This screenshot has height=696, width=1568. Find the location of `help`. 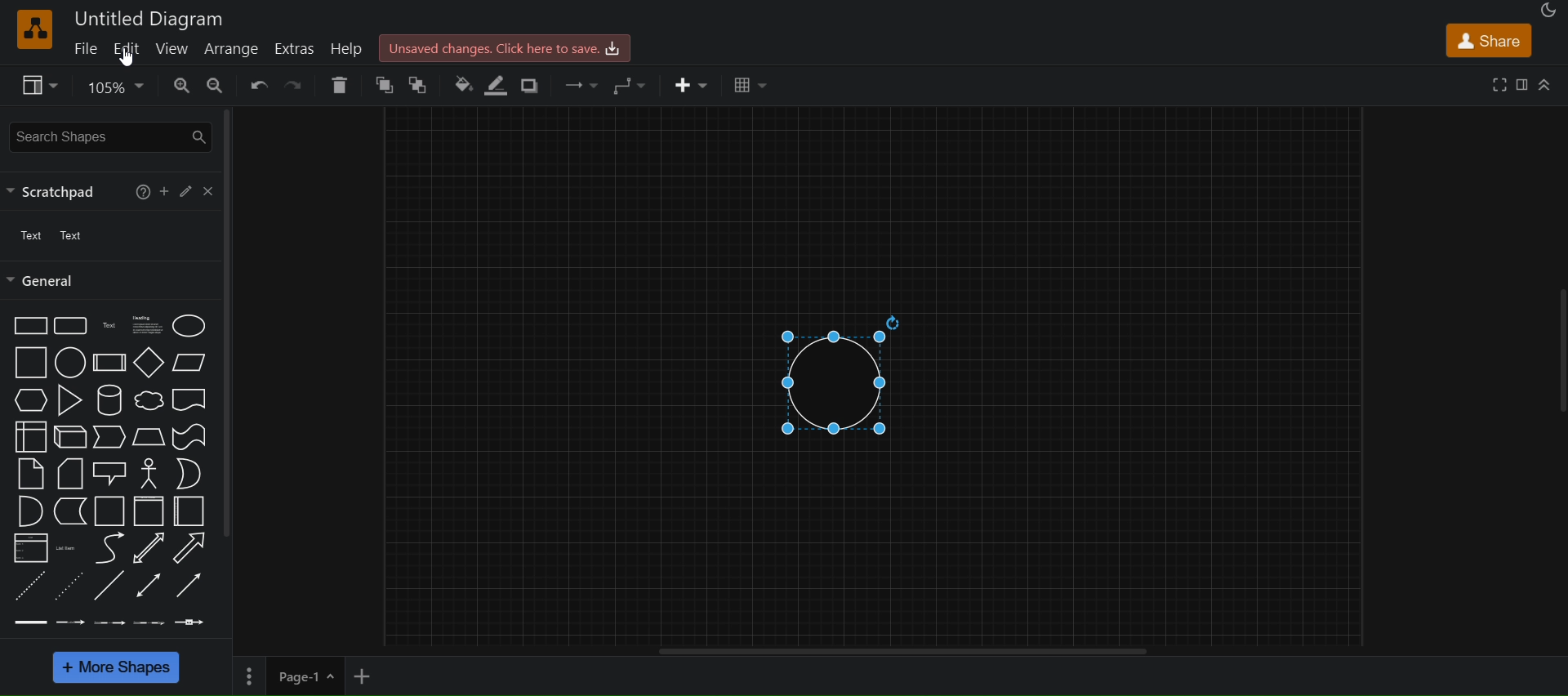

help is located at coordinates (143, 194).